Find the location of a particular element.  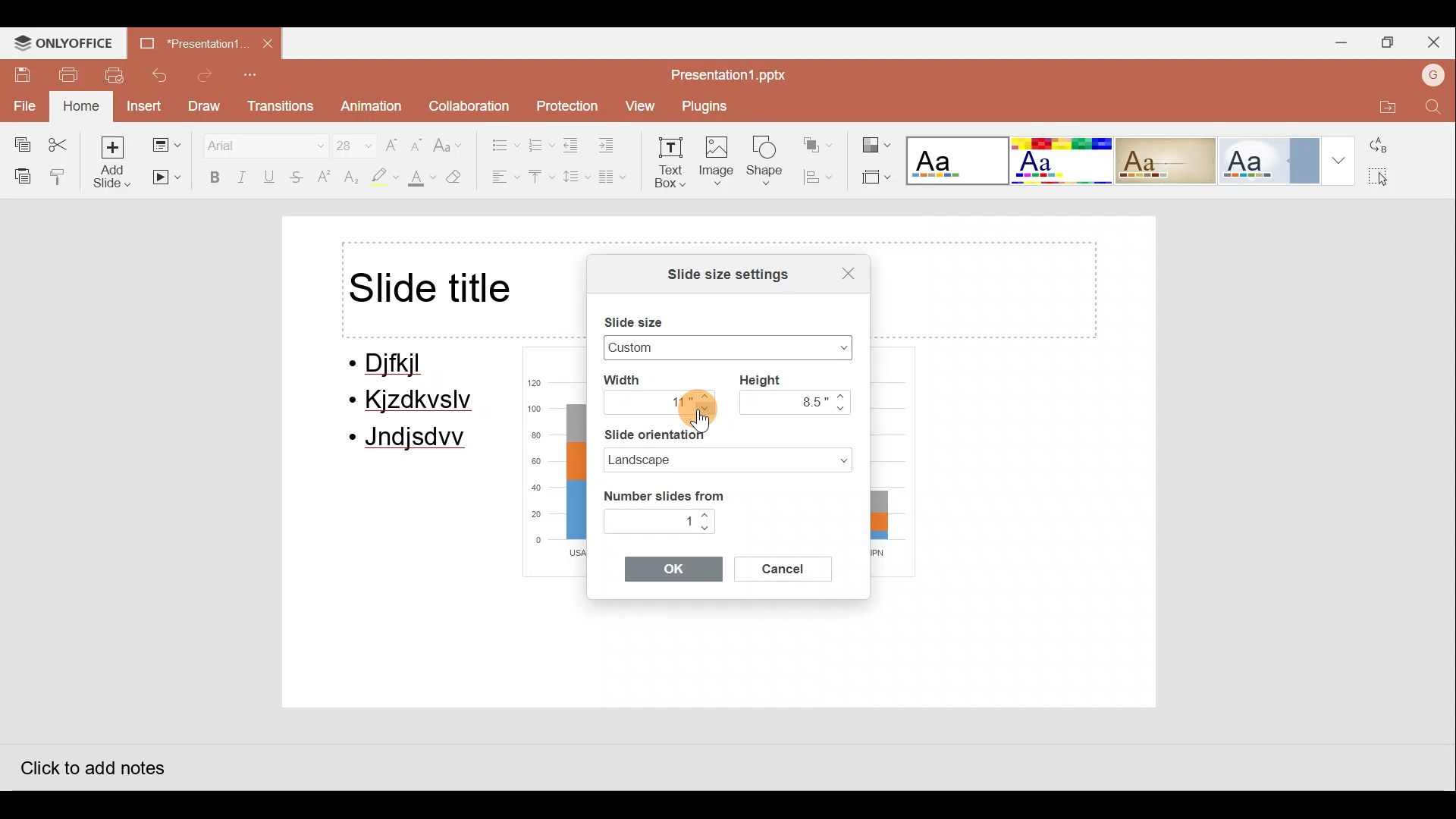

Highlight colour is located at coordinates (381, 178).